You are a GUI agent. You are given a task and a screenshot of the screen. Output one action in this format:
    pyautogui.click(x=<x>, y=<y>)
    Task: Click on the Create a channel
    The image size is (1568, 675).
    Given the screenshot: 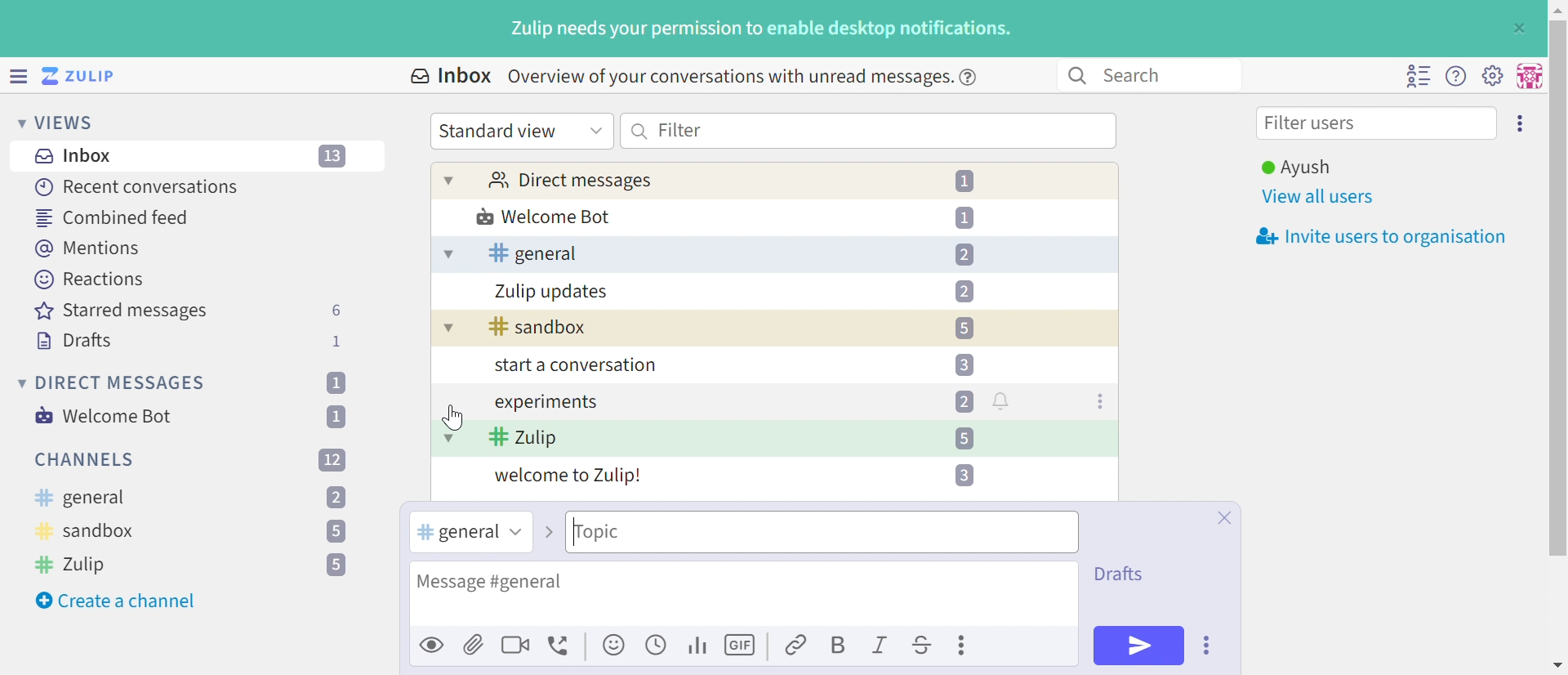 What is the action you would take?
    pyautogui.click(x=118, y=601)
    